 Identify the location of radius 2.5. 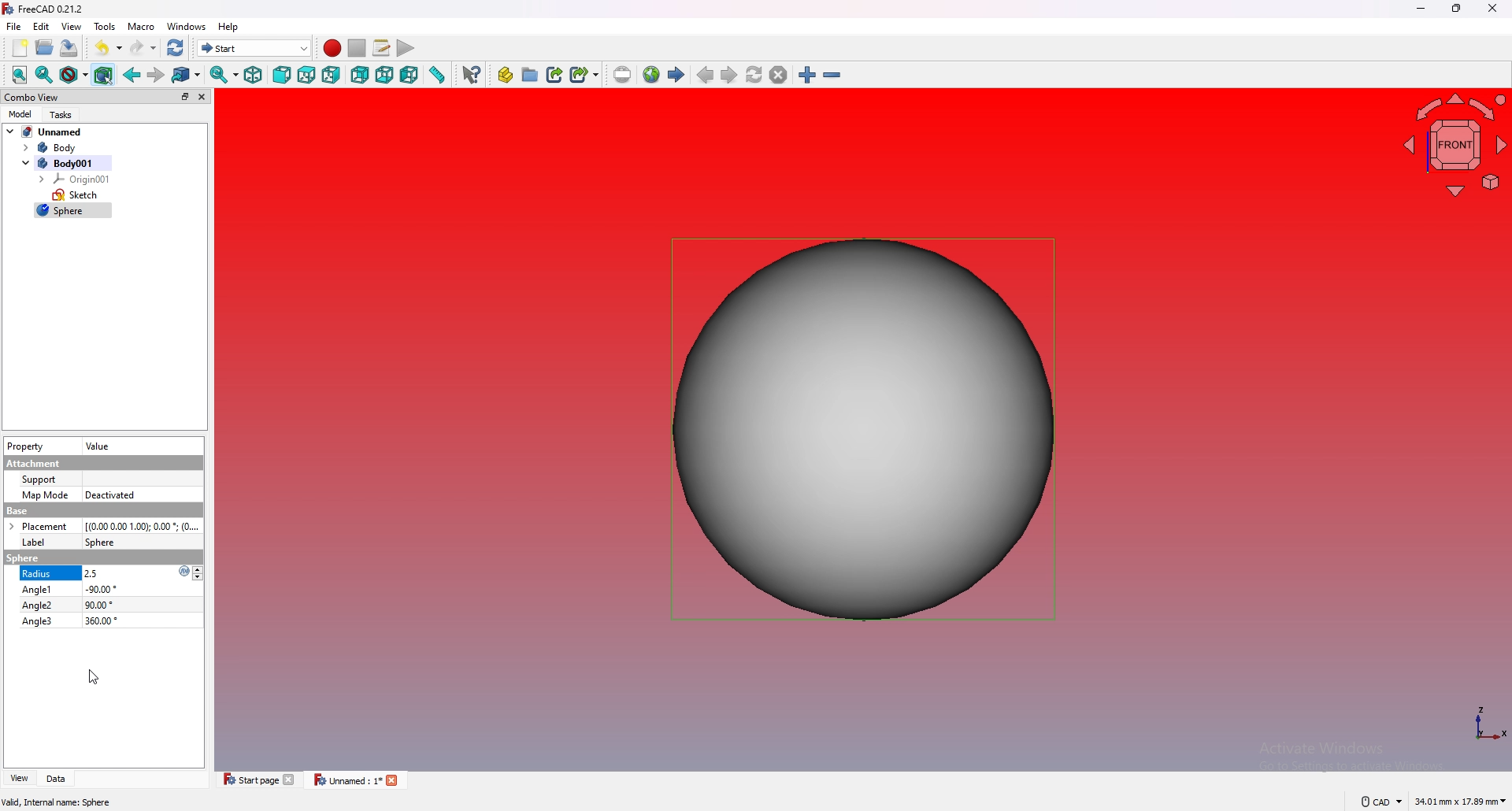
(76, 574).